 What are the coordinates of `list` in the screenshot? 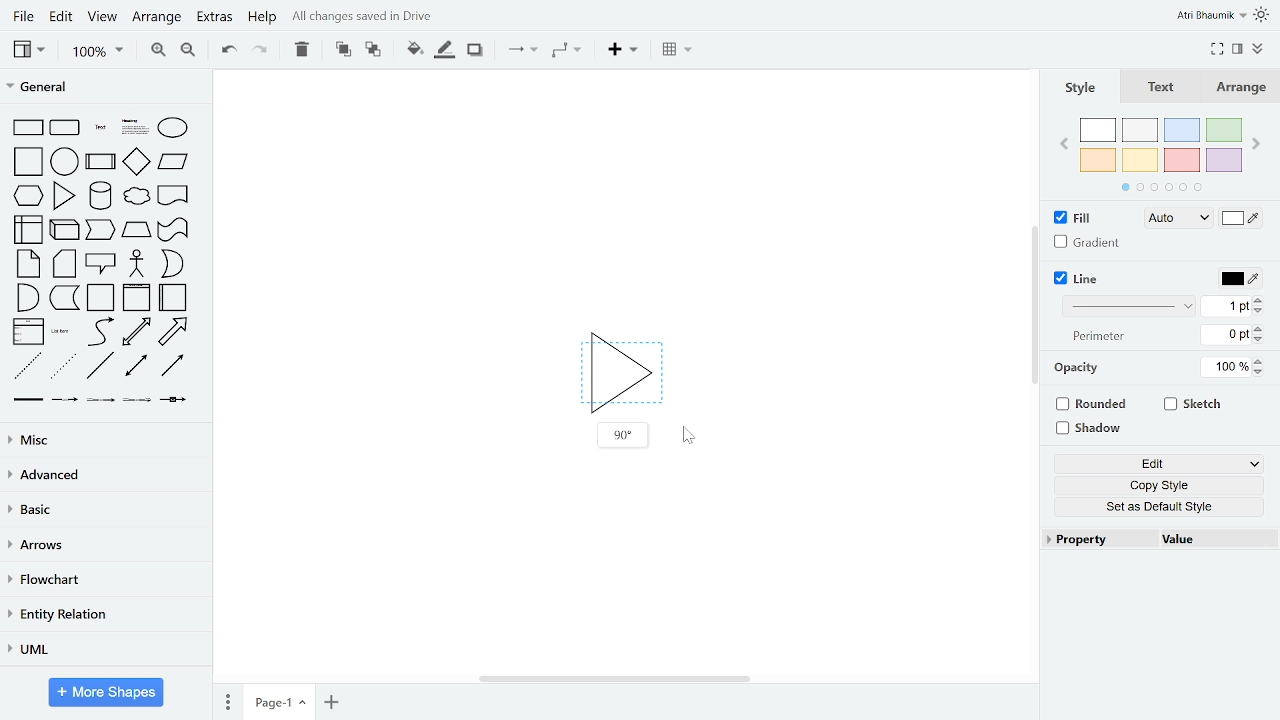 It's located at (27, 333).